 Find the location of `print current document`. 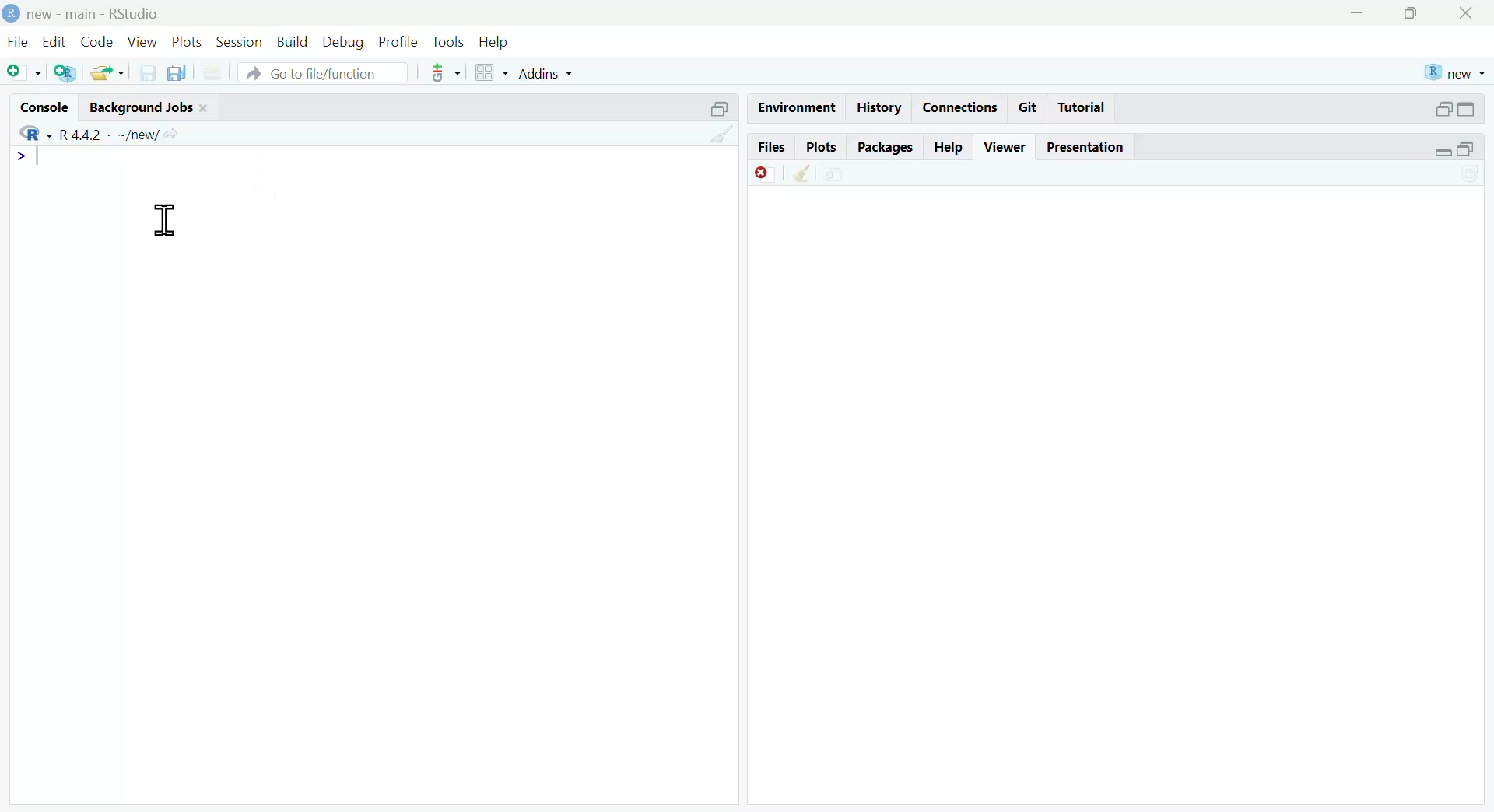

print current document is located at coordinates (220, 72).